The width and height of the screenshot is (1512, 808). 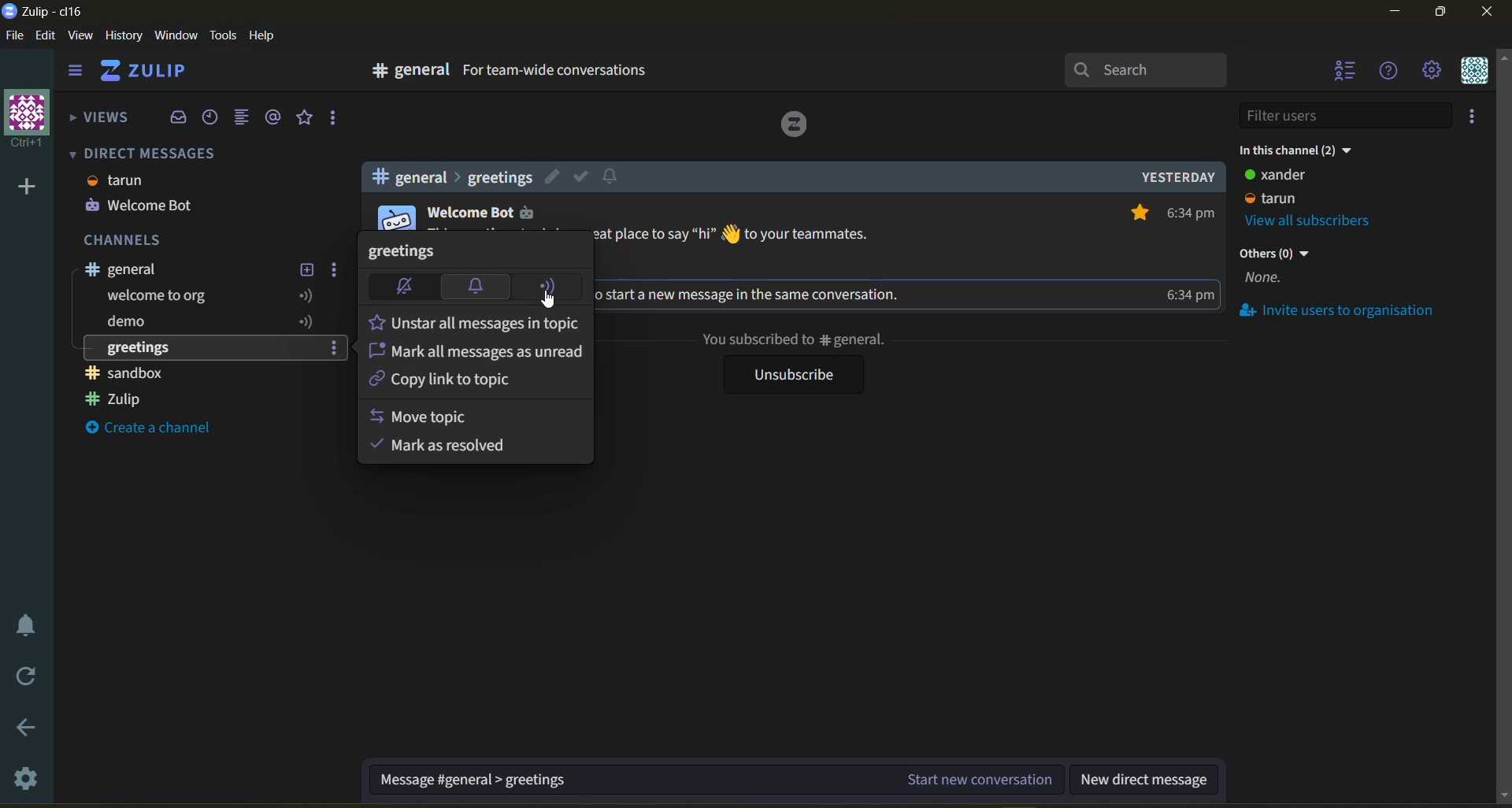 I want to click on add  a new organisation, so click(x=28, y=191).